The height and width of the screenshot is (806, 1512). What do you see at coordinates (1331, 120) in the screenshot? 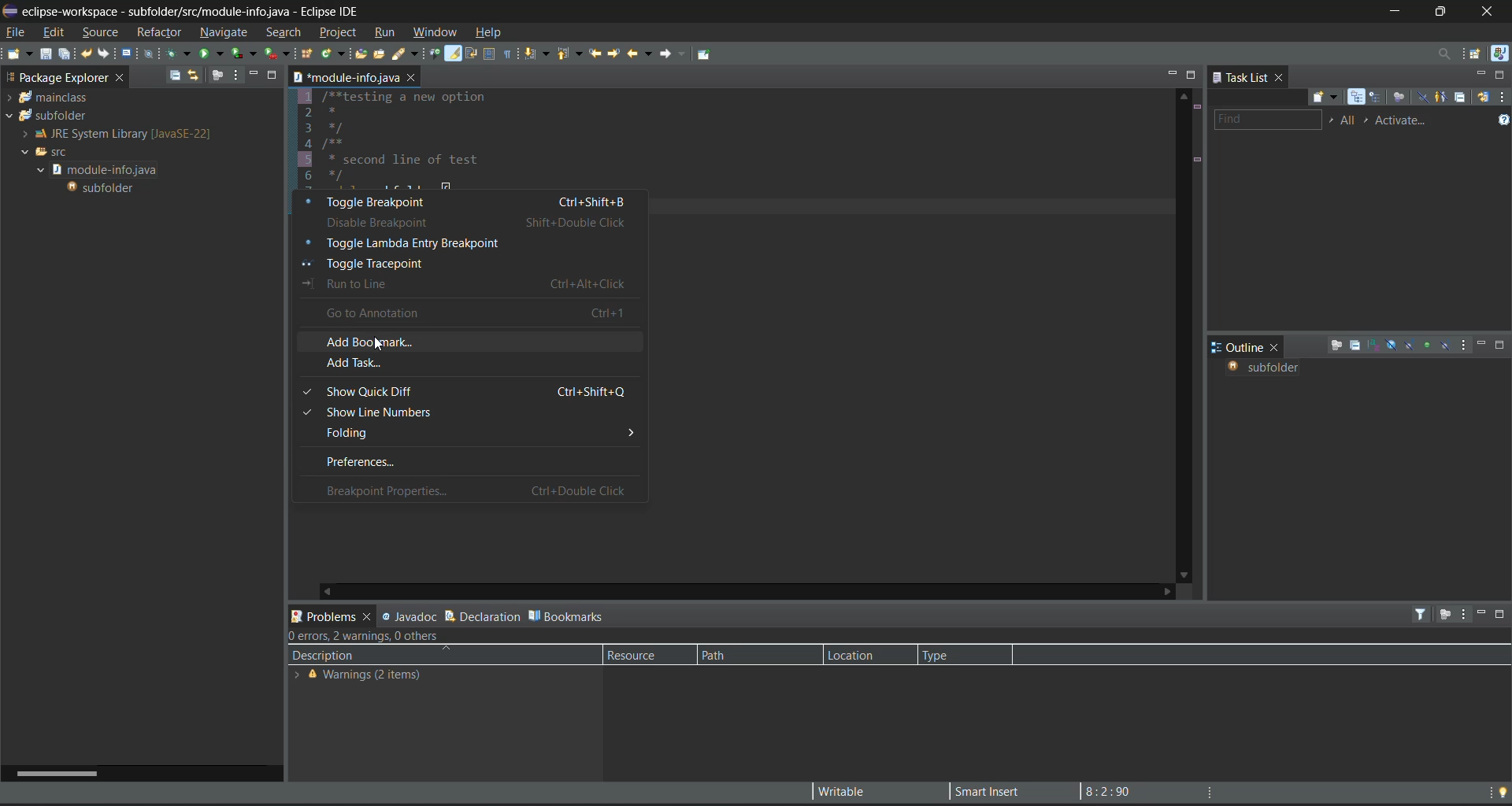
I see `select working set` at bounding box center [1331, 120].